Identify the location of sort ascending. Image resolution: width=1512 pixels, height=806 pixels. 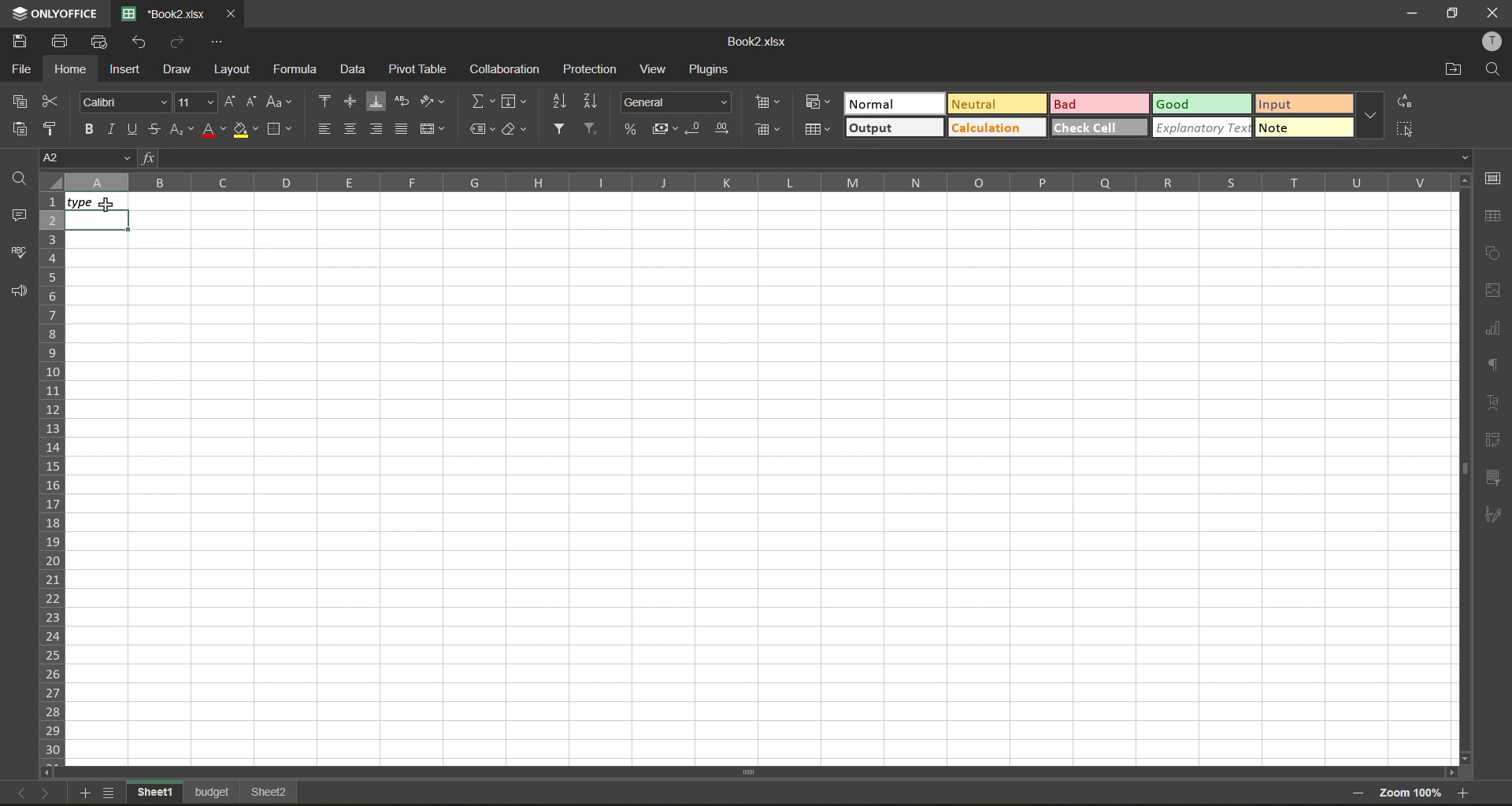
(559, 102).